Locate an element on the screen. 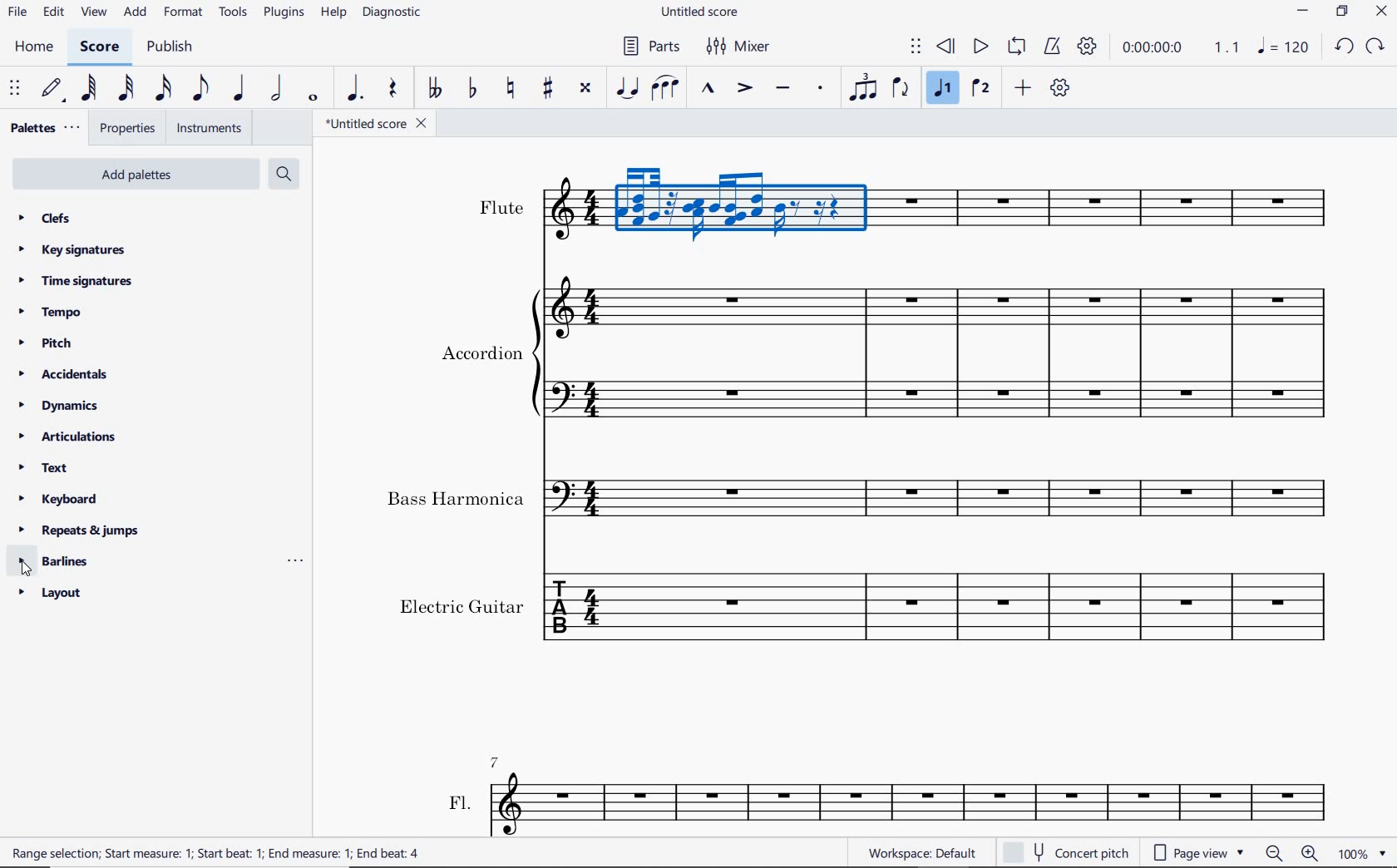 The width and height of the screenshot is (1397, 868). diagnostic is located at coordinates (393, 15).